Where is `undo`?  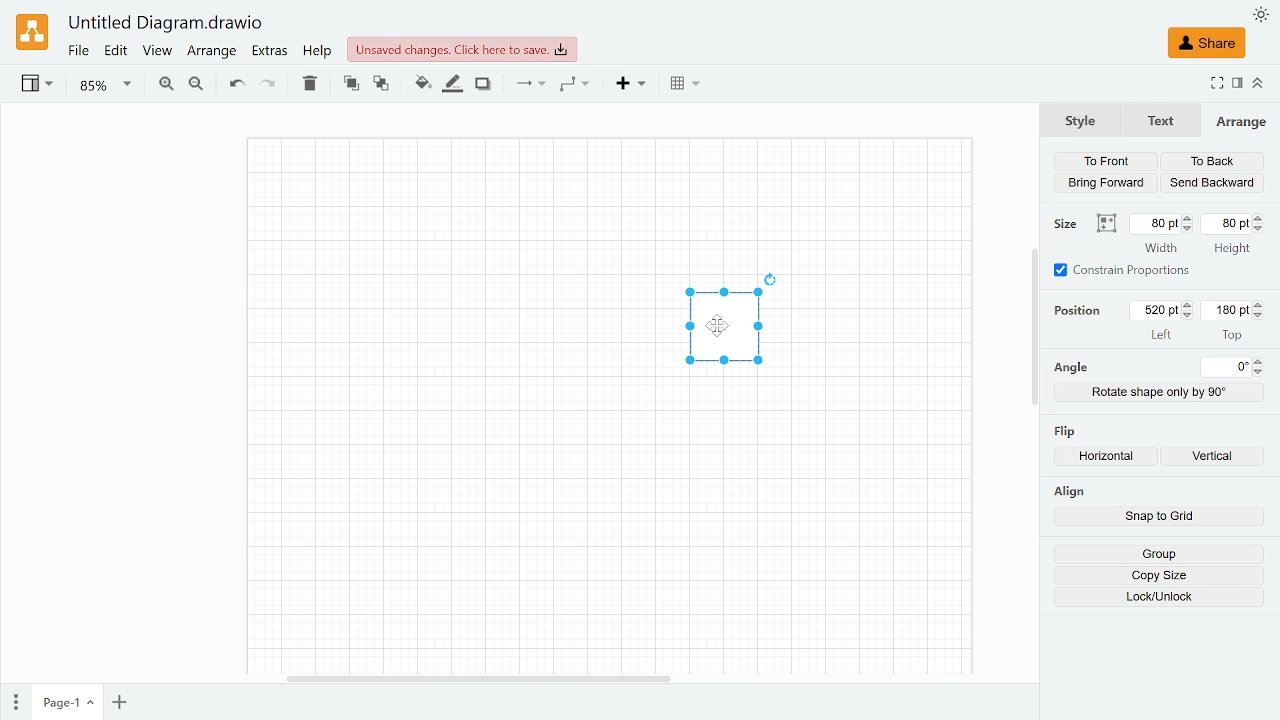
undo is located at coordinates (234, 84).